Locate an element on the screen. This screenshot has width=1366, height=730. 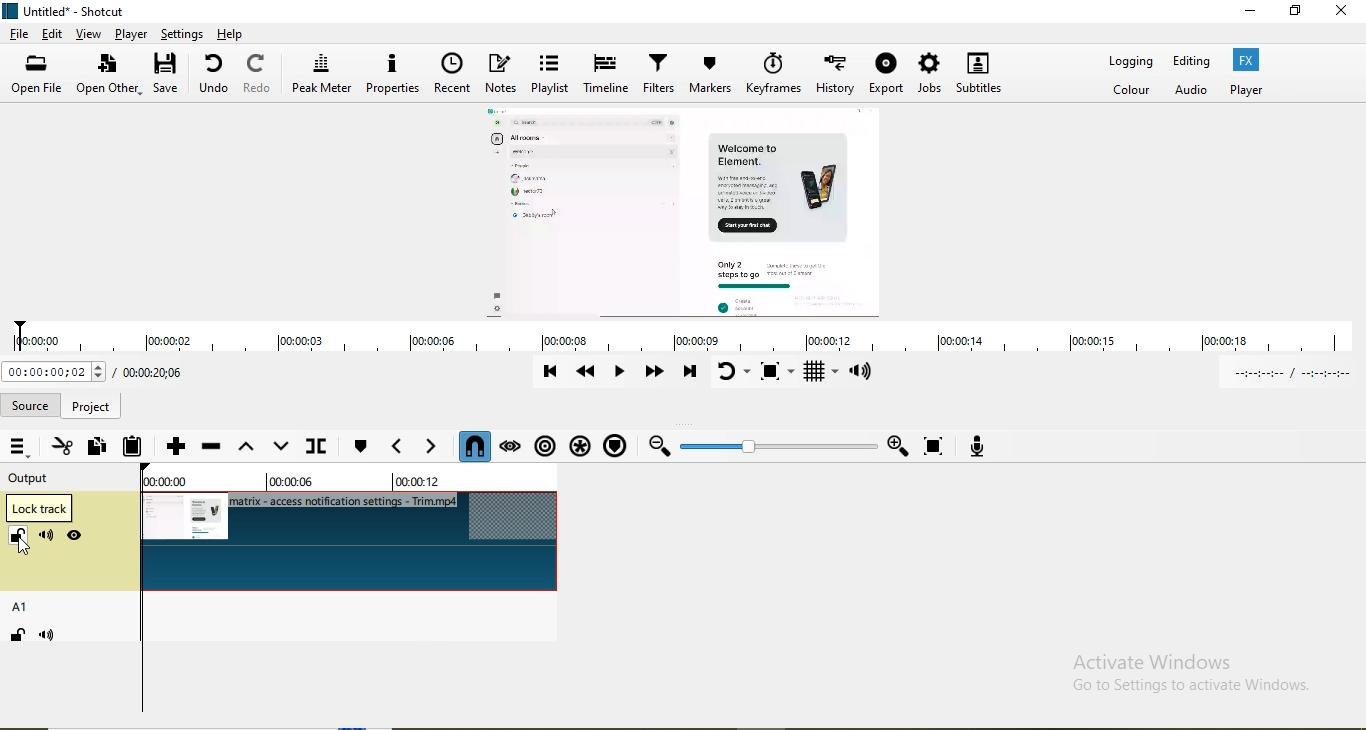
Record audio is located at coordinates (973, 444).